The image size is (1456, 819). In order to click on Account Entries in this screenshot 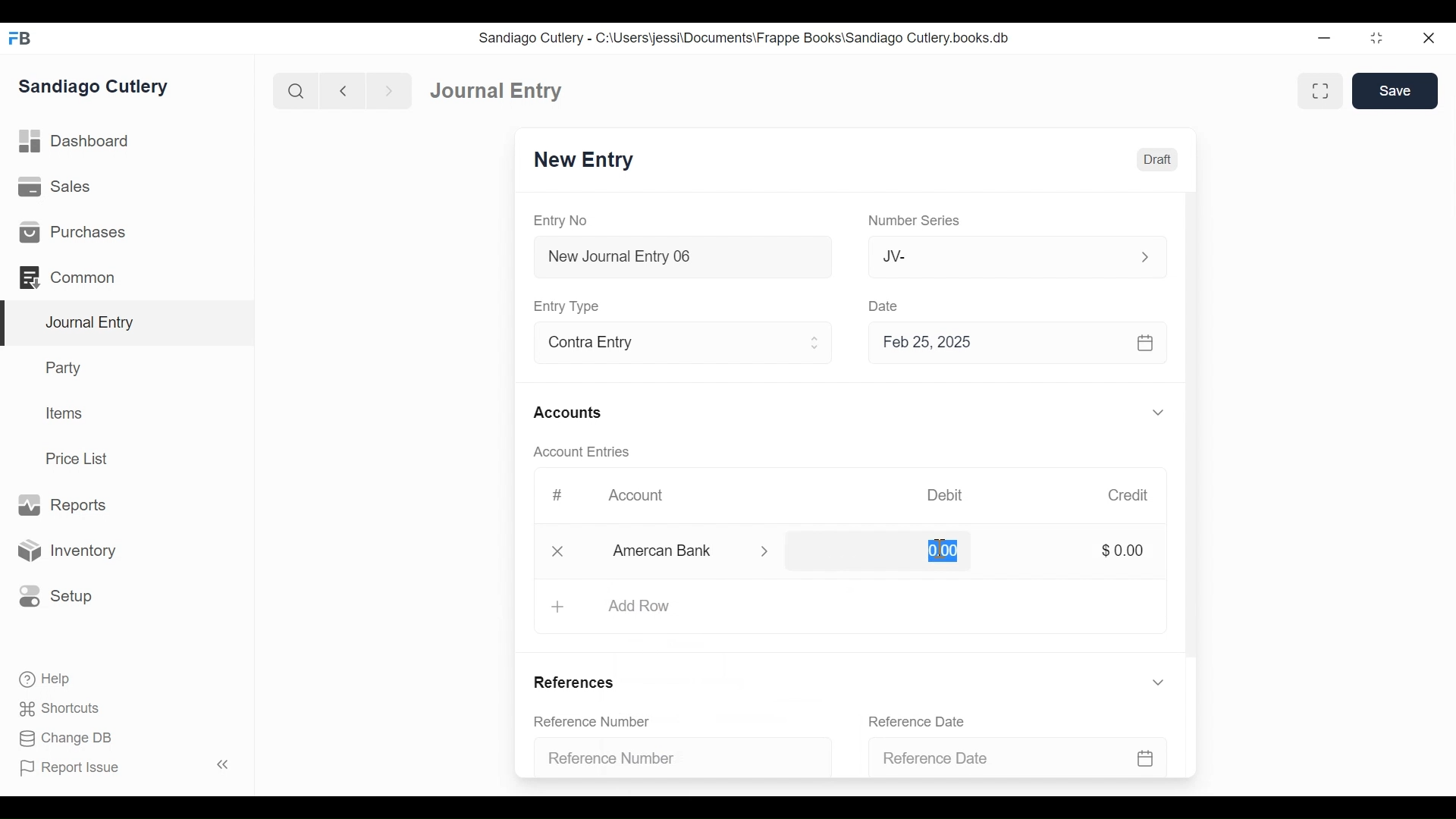, I will do `click(585, 452)`.